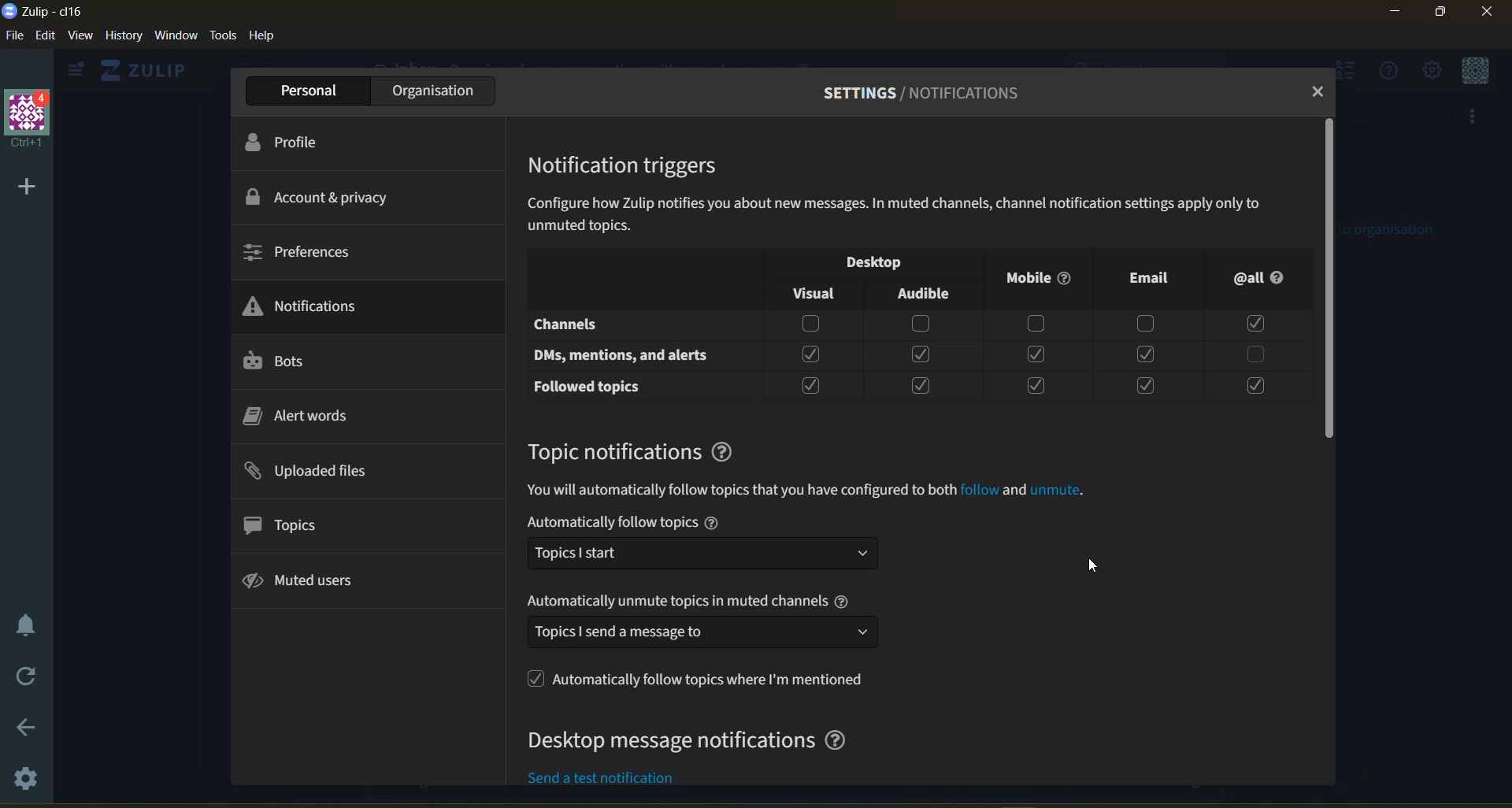  What do you see at coordinates (317, 471) in the screenshot?
I see `uploaded files` at bounding box center [317, 471].